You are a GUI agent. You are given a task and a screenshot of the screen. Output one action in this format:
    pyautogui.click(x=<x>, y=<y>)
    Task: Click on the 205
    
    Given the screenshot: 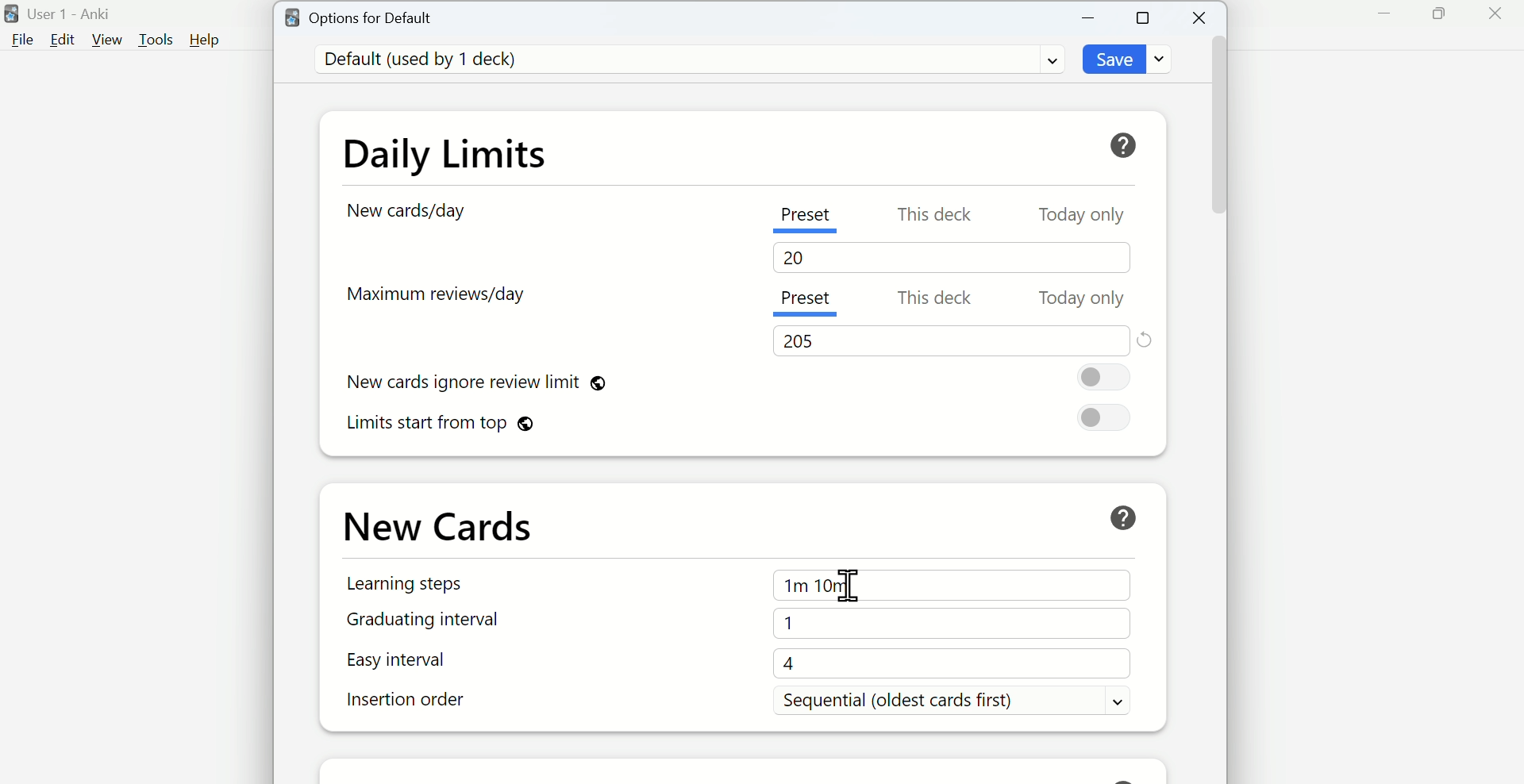 What is the action you would take?
    pyautogui.click(x=810, y=340)
    